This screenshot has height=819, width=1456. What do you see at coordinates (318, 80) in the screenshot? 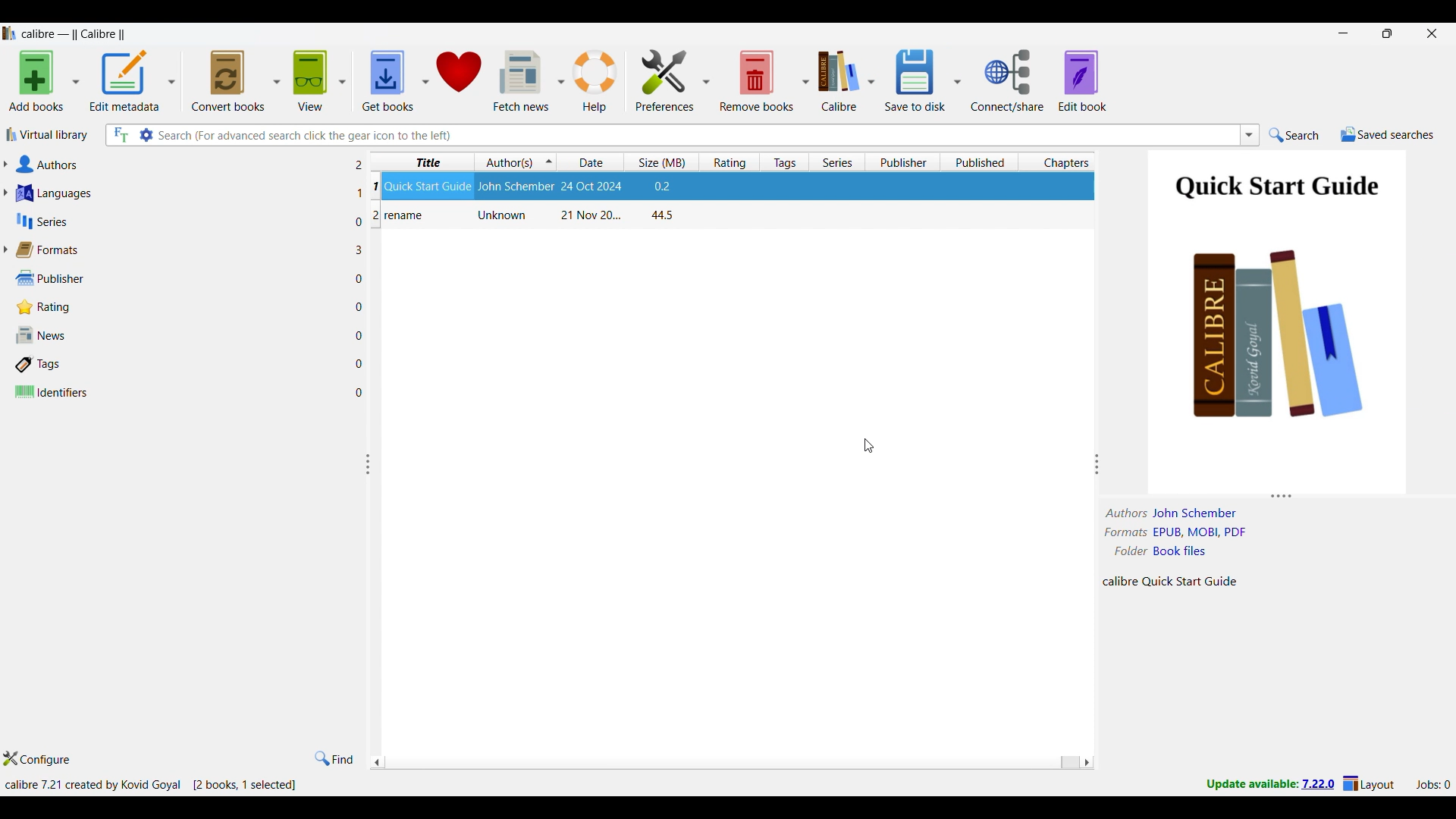
I see `View options` at bounding box center [318, 80].